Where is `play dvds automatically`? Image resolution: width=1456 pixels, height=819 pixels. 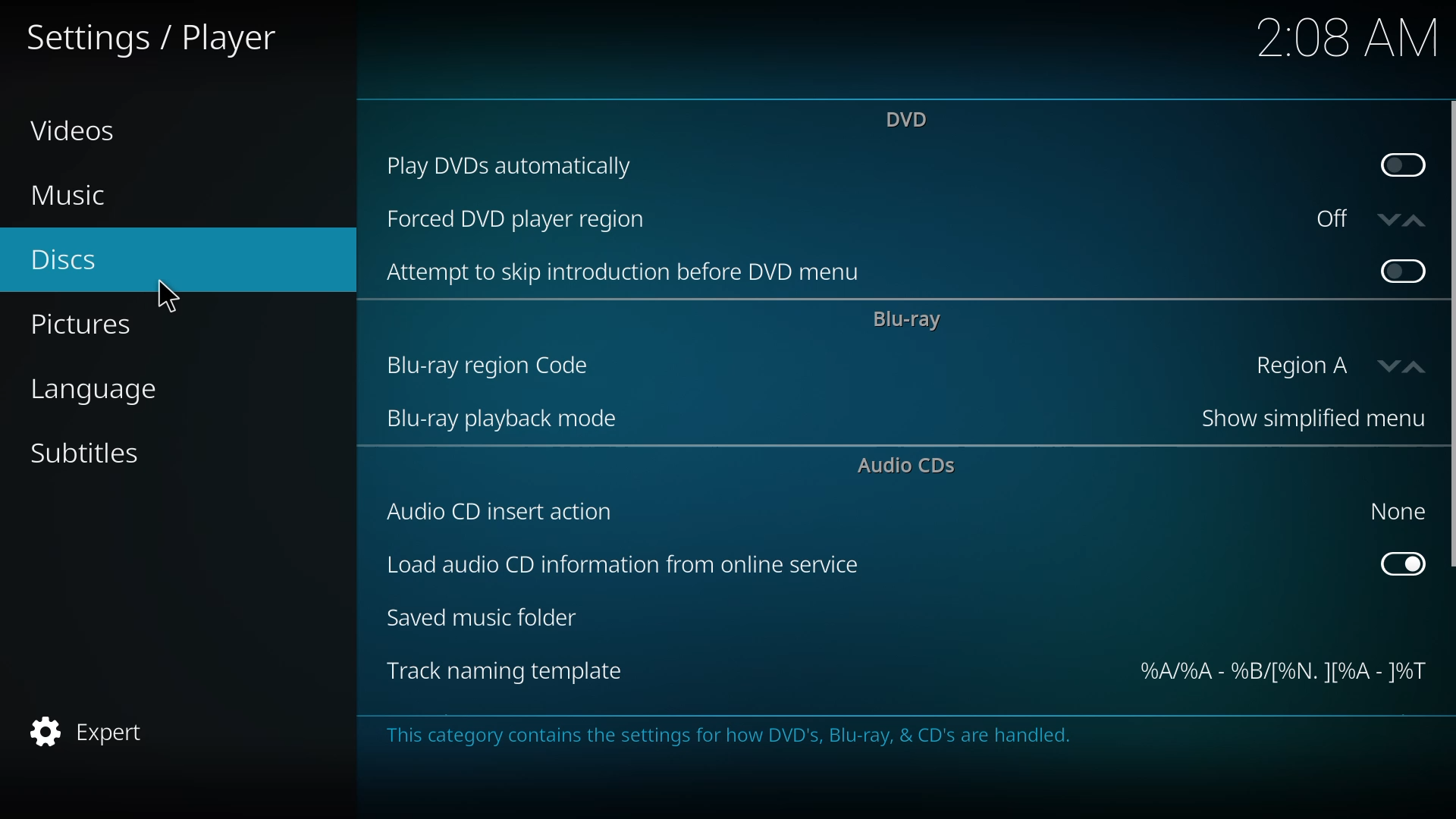 play dvds automatically is located at coordinates (517, 164).